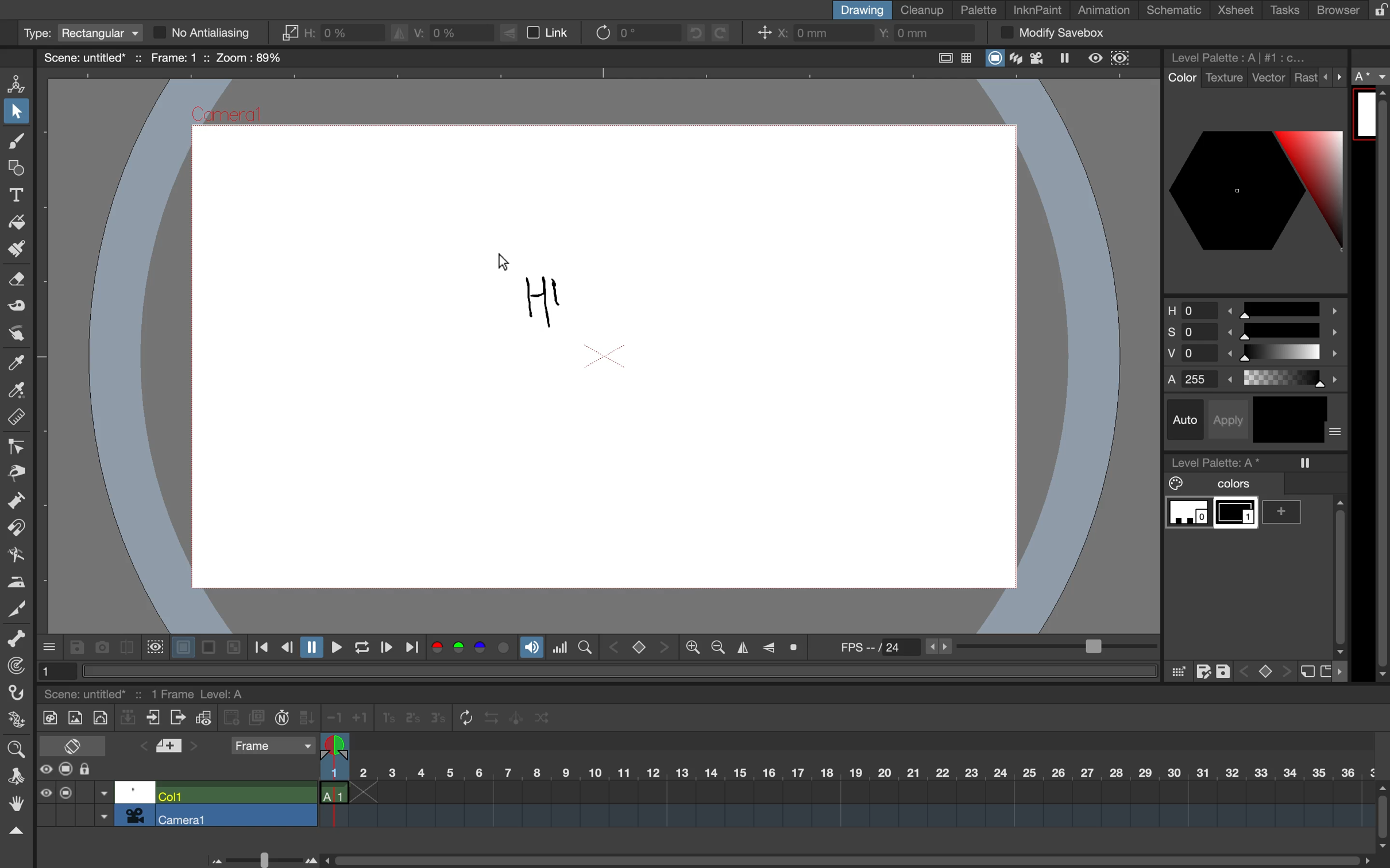 This screenshot has height=868, width=1390. Describe the element at coordinates (128, 719) in the screenshot. I see `collapse` at that location.